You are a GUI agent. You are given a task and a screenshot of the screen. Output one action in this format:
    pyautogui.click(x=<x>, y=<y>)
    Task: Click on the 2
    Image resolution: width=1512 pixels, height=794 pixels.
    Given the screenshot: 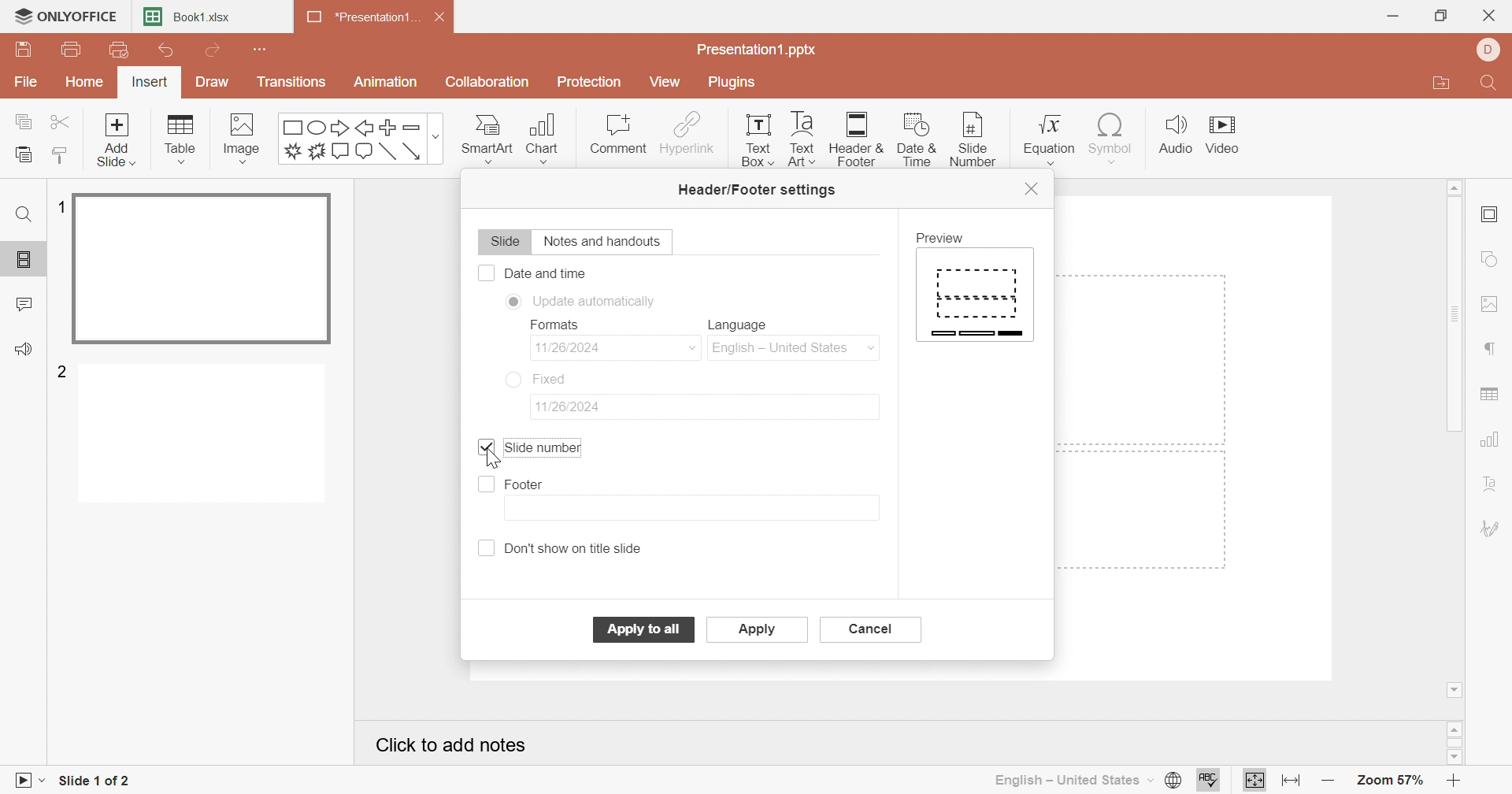 What is the action you would take?
    pyautogui.click(x=64, y=370)
    